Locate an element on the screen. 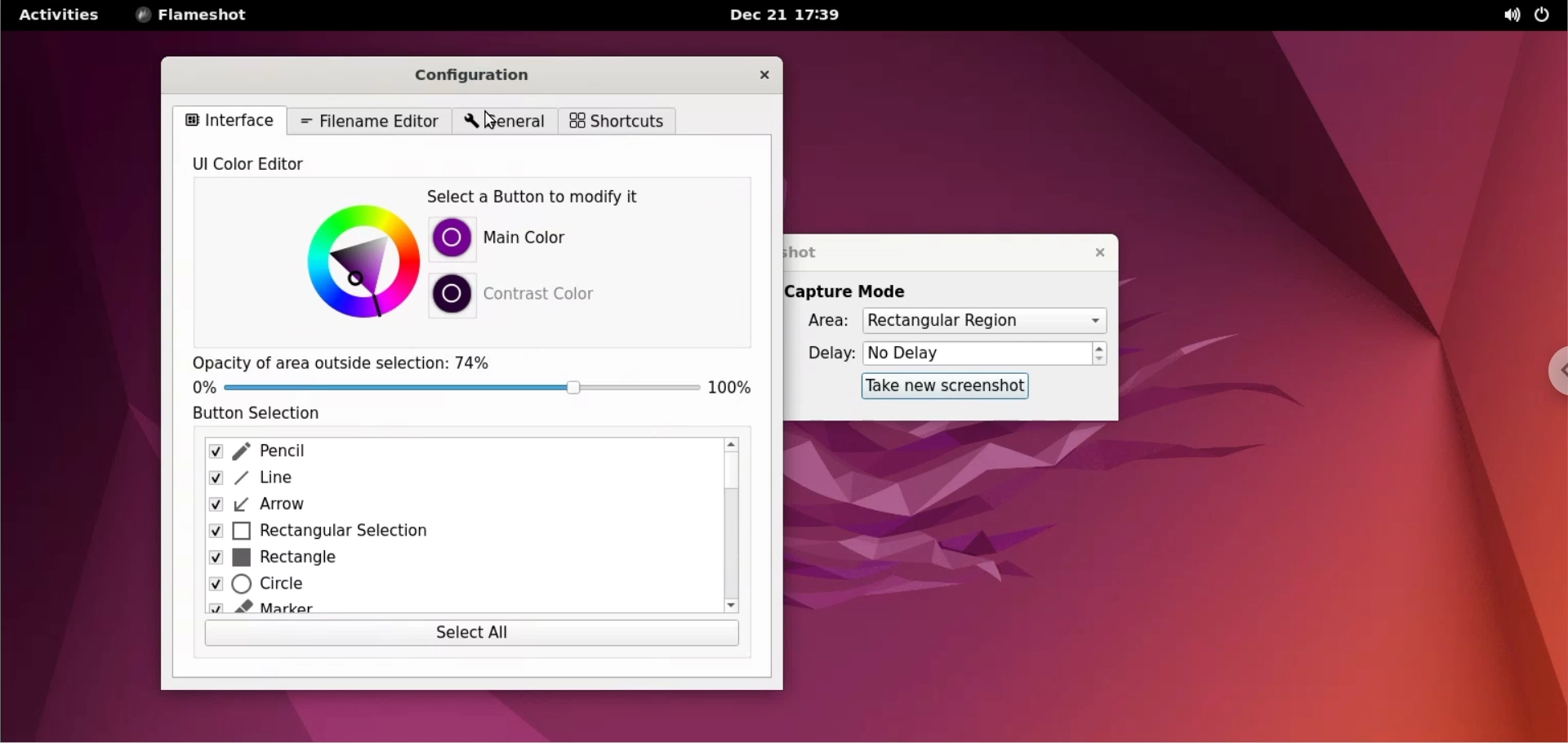 The height and width of the screenshot is (743, 1568). delay time is located at coordinates (977, 353).